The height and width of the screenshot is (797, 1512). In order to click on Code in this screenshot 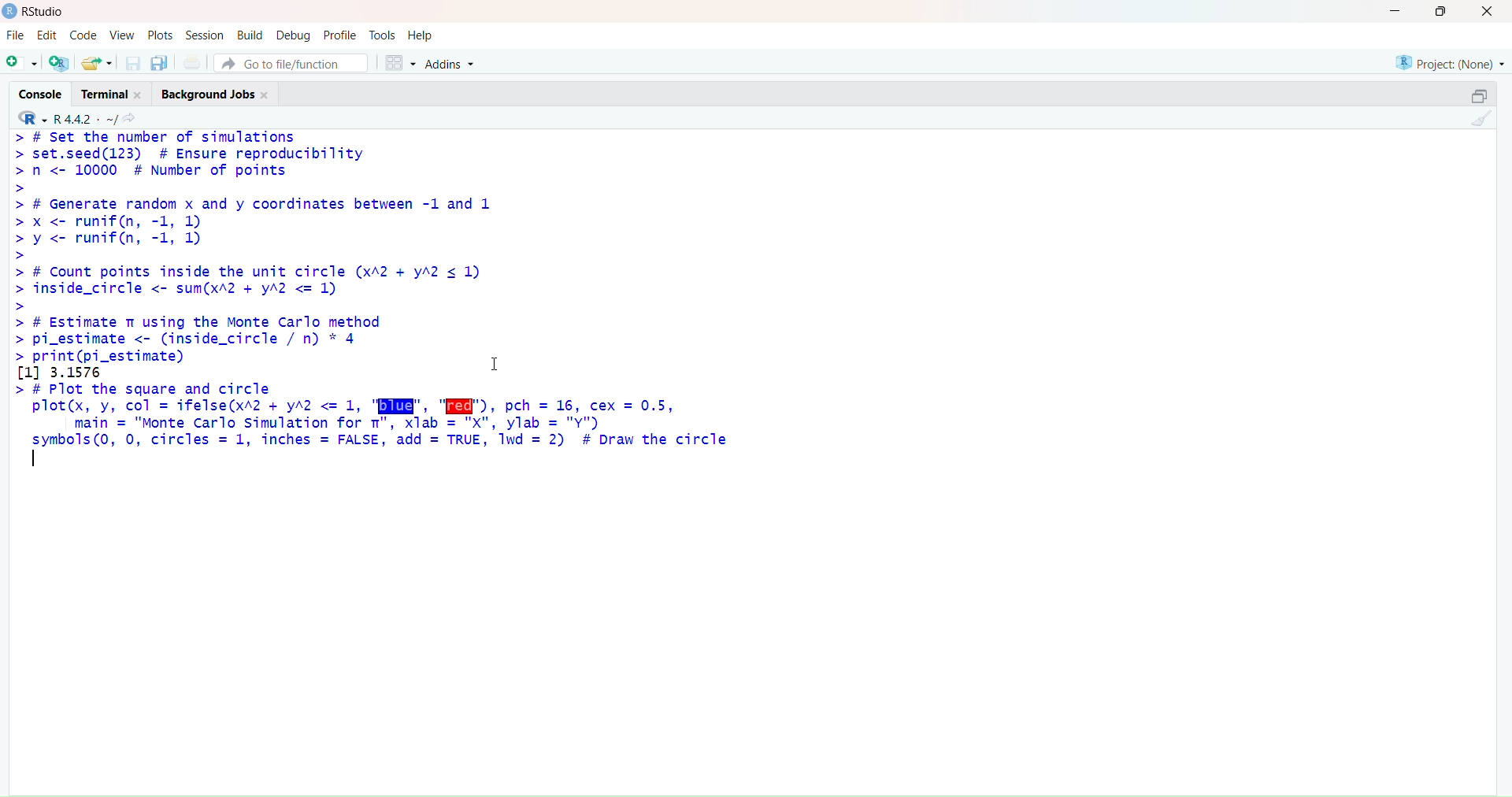, I will do `click(83, 35)`.